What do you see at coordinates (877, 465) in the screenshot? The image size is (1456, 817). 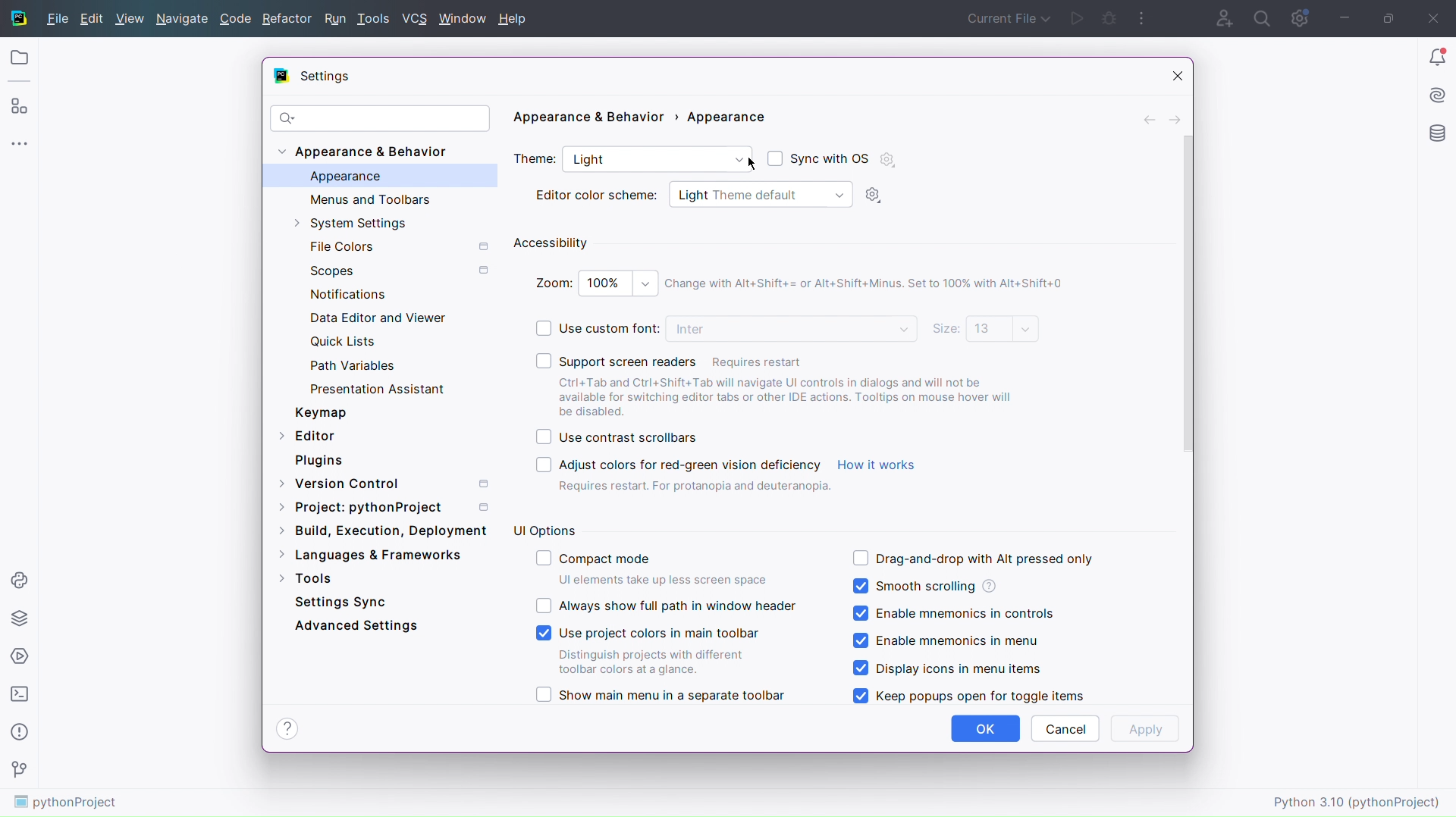 I see `how it works` at bounding box center [877, 465].